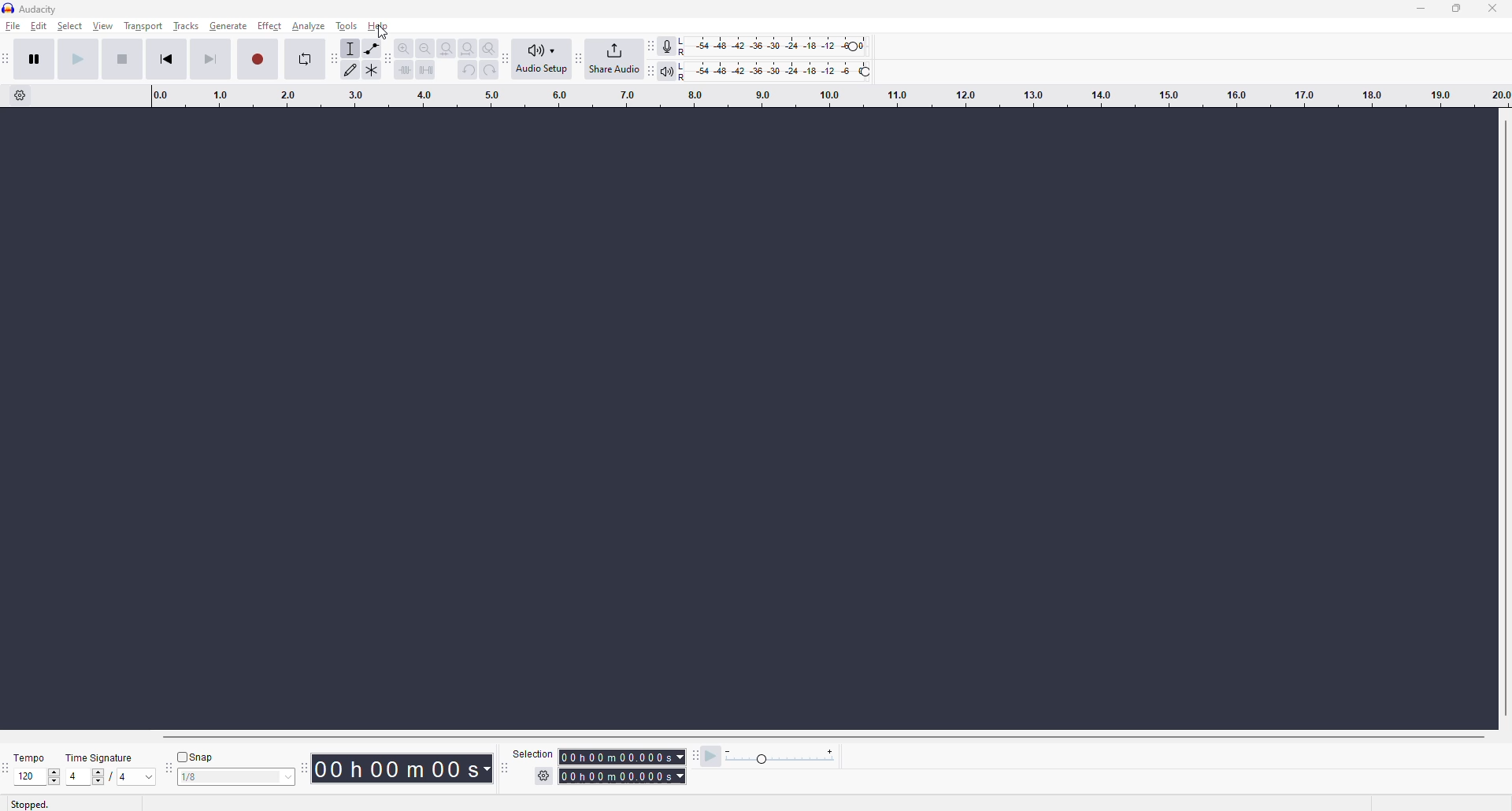 The height and width of the screenshot is (811, 1512). I want to click on select, so click(71, 28).